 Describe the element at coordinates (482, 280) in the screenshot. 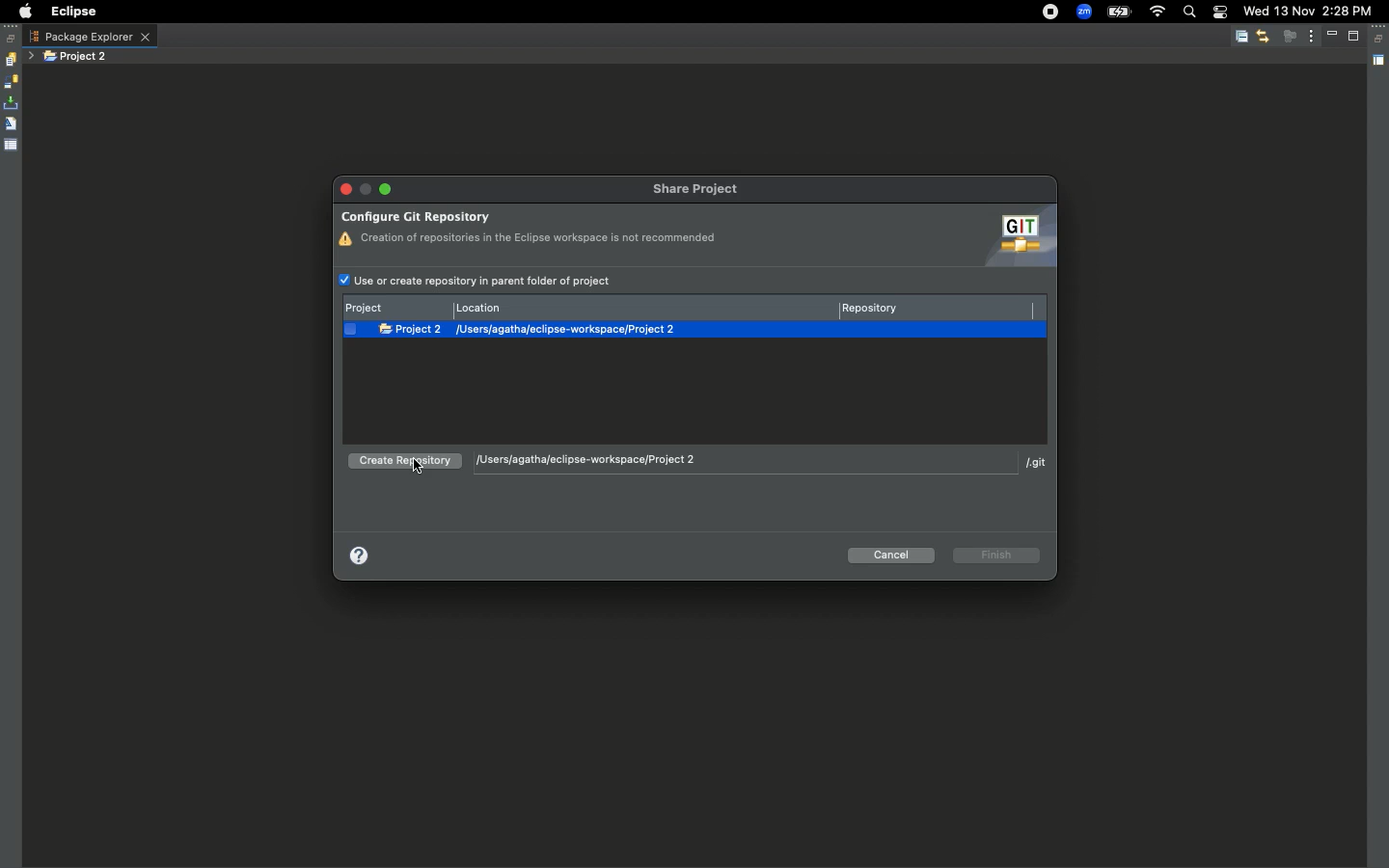

I see `(un)check Use or create repository in parent folder of project` at that location.